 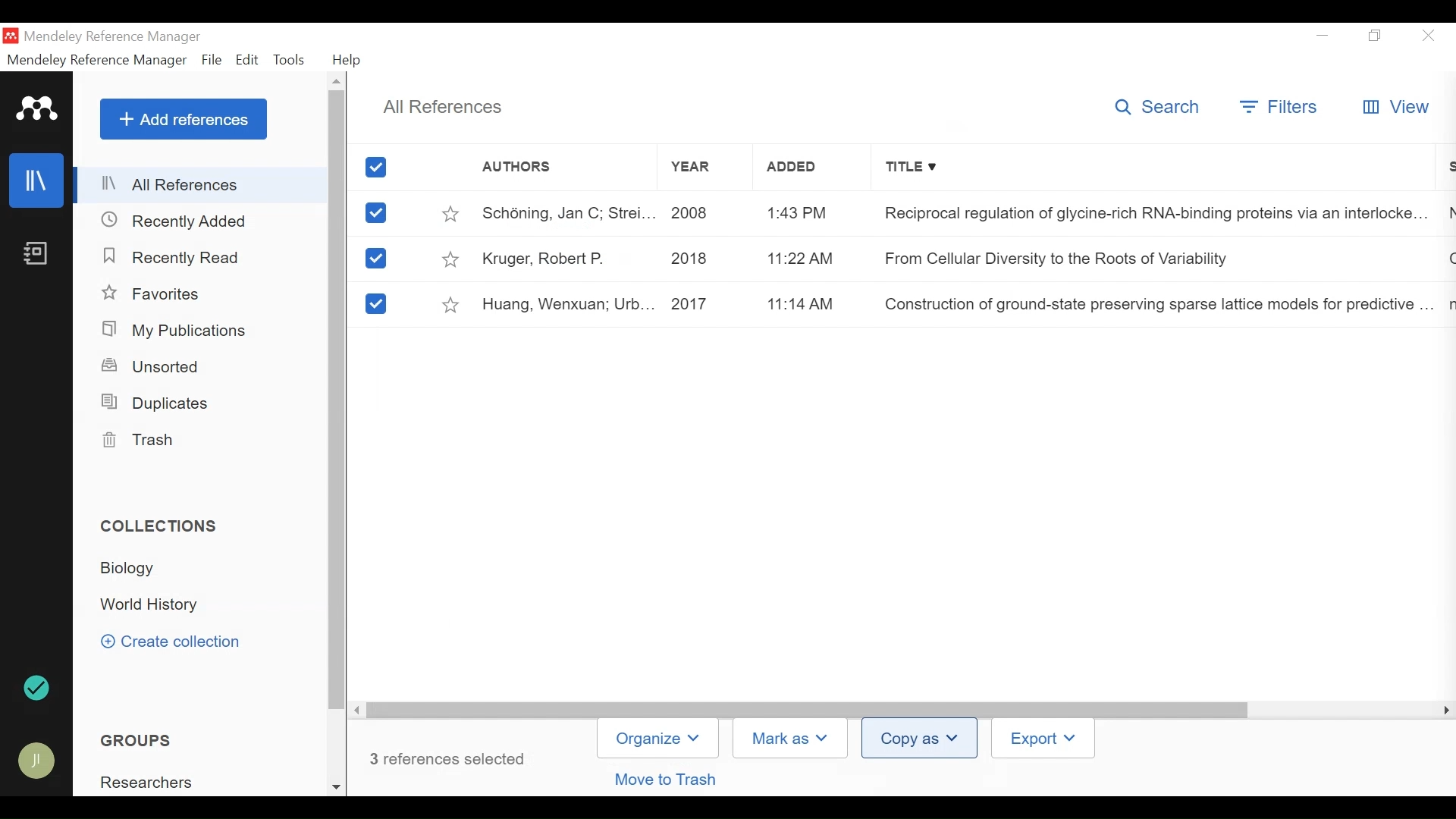 I want to click on Scroll up, so click(x=336, y=82).